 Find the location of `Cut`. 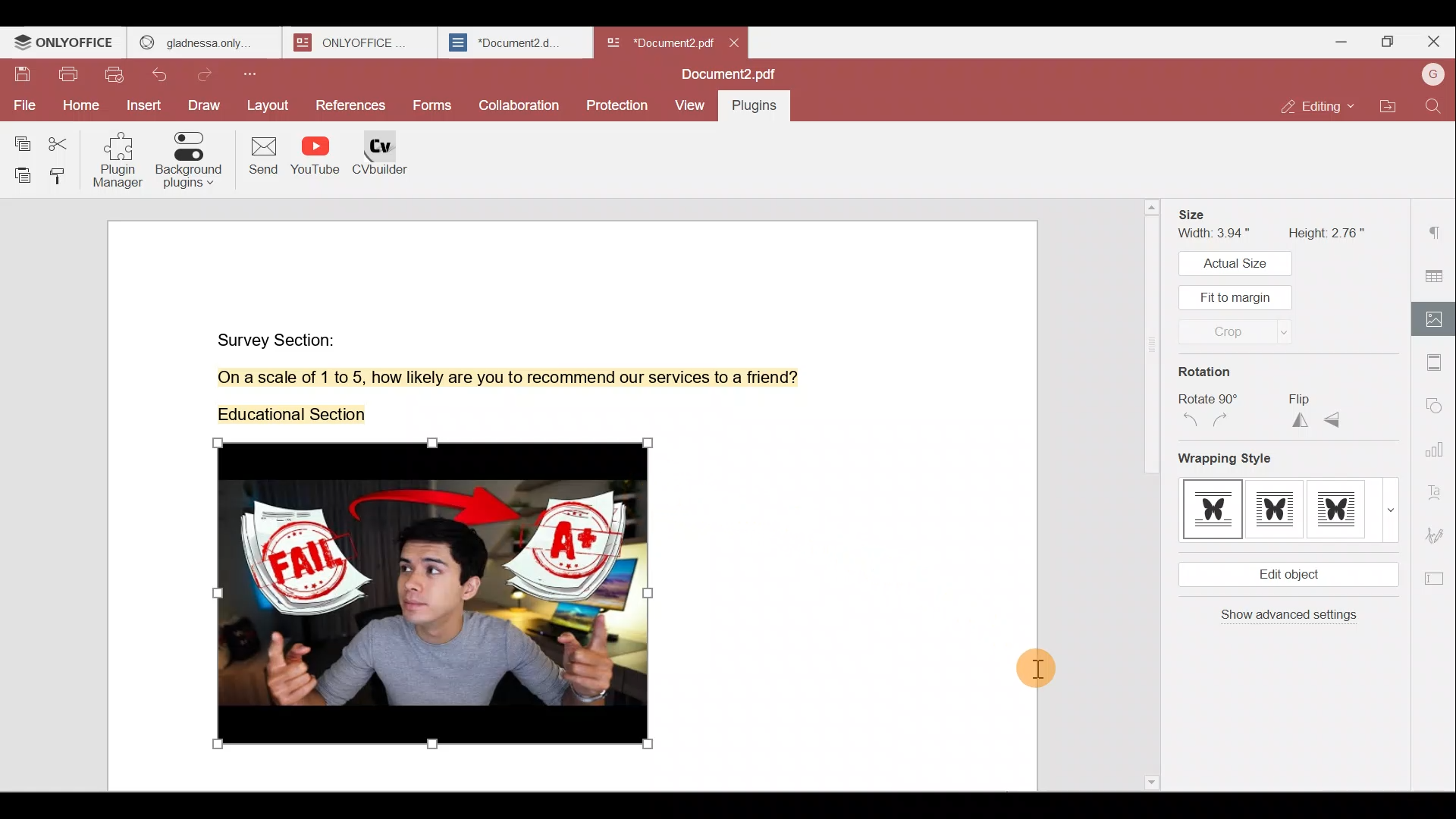

Cut is located at coordinates (64, 140).